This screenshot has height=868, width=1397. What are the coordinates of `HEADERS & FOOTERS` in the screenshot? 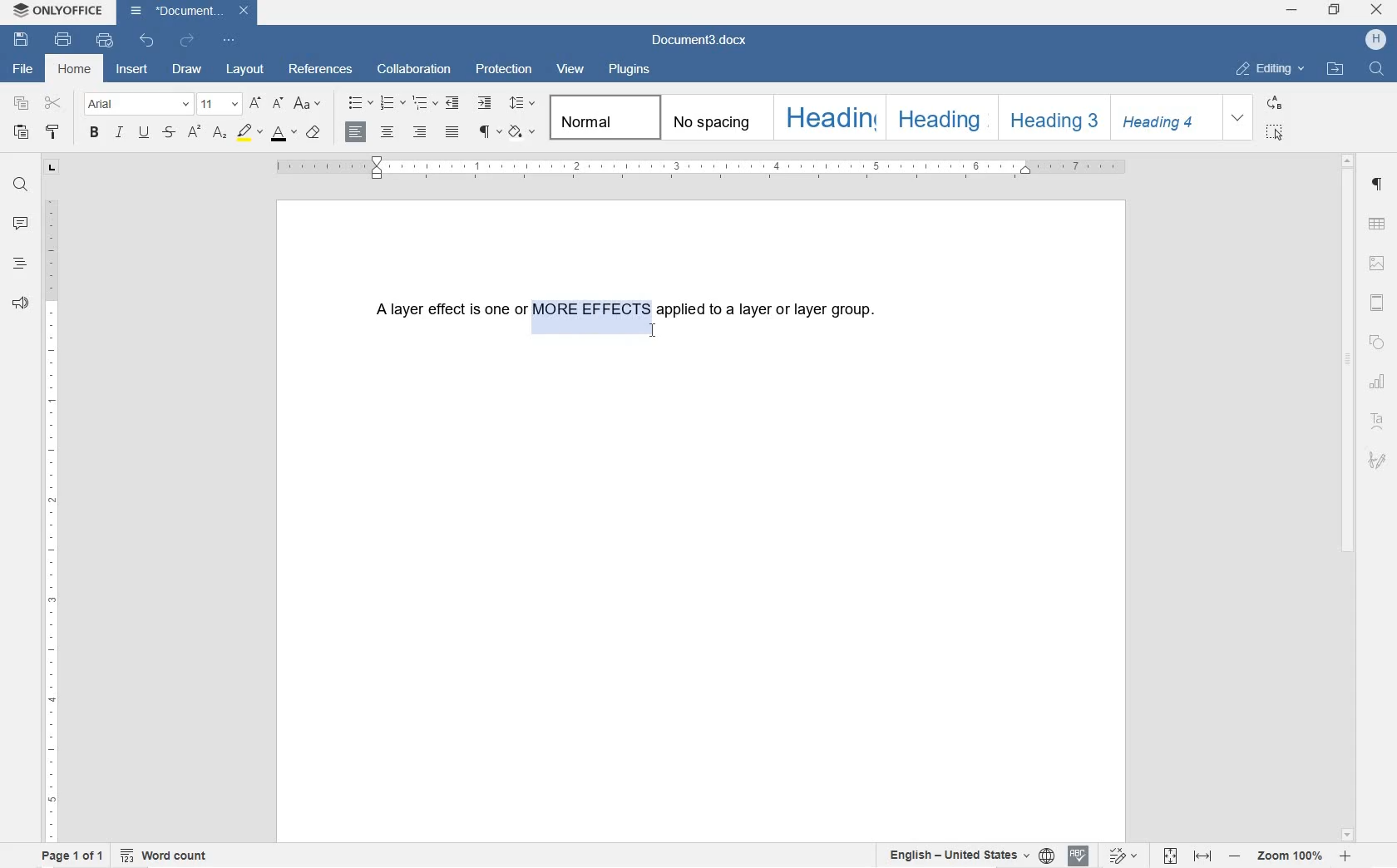 It's located at (1377, 303).